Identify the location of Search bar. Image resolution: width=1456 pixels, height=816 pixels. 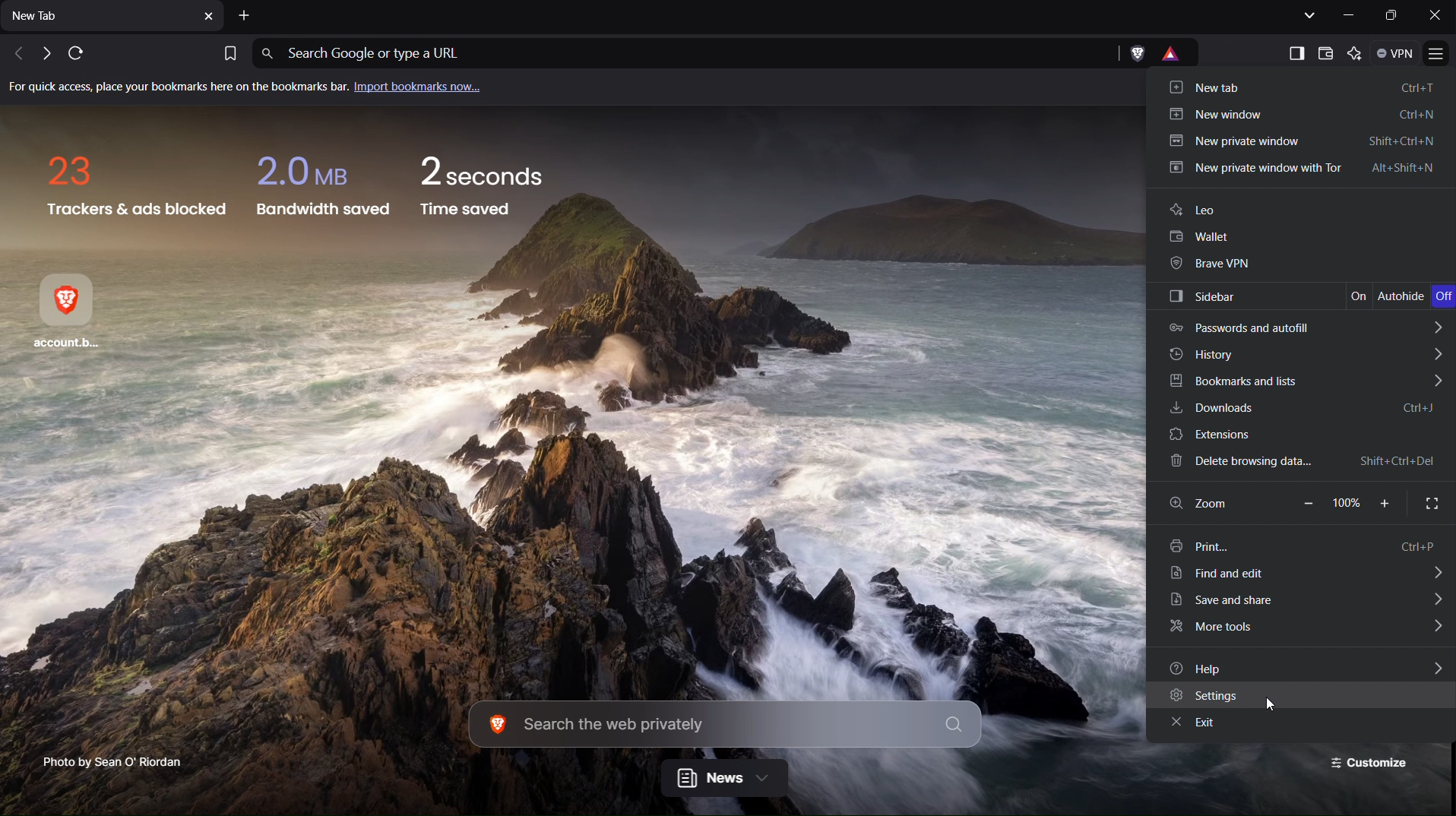
(725, 726).